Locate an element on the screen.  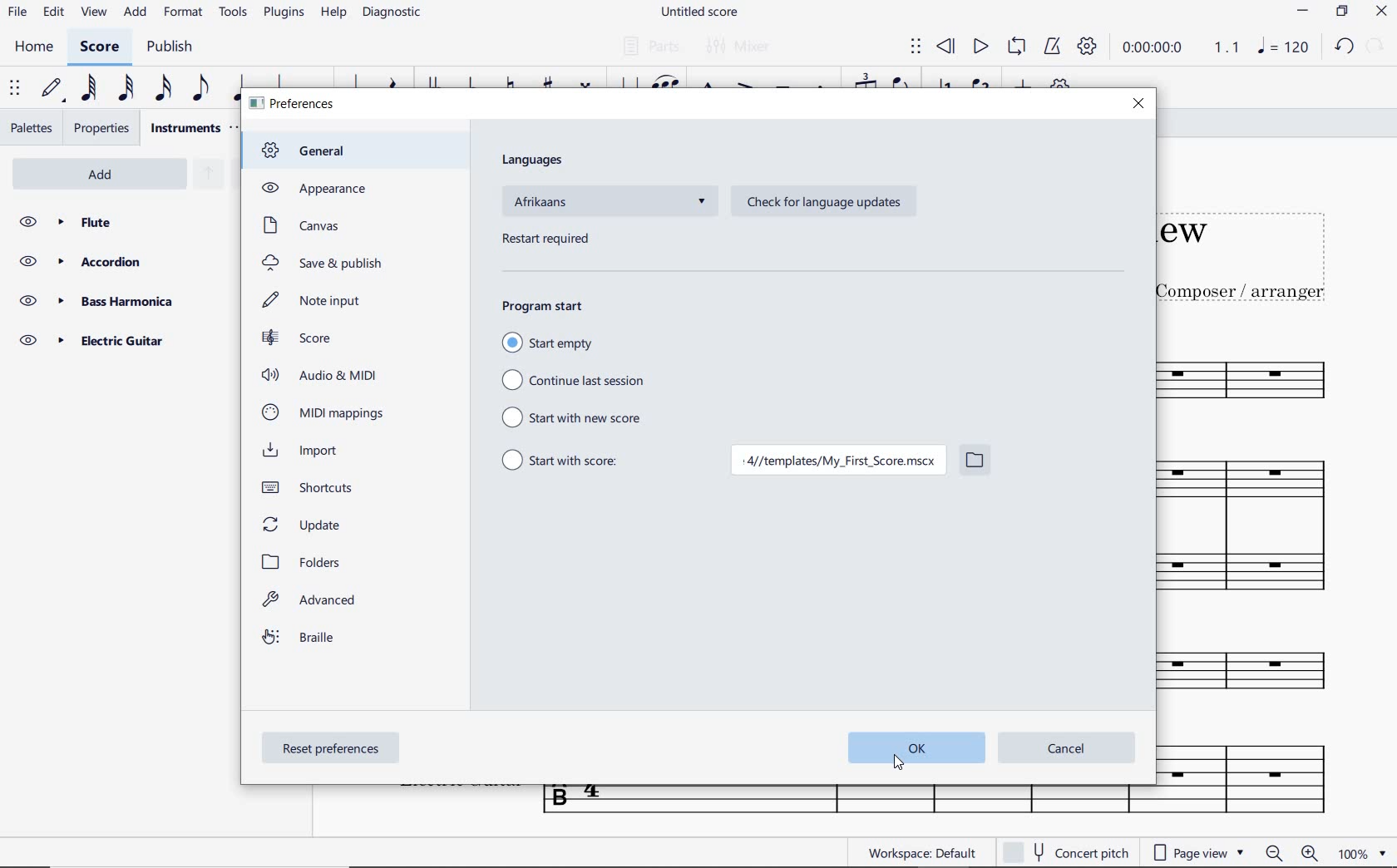
tools is located at coordinates (236, 16).